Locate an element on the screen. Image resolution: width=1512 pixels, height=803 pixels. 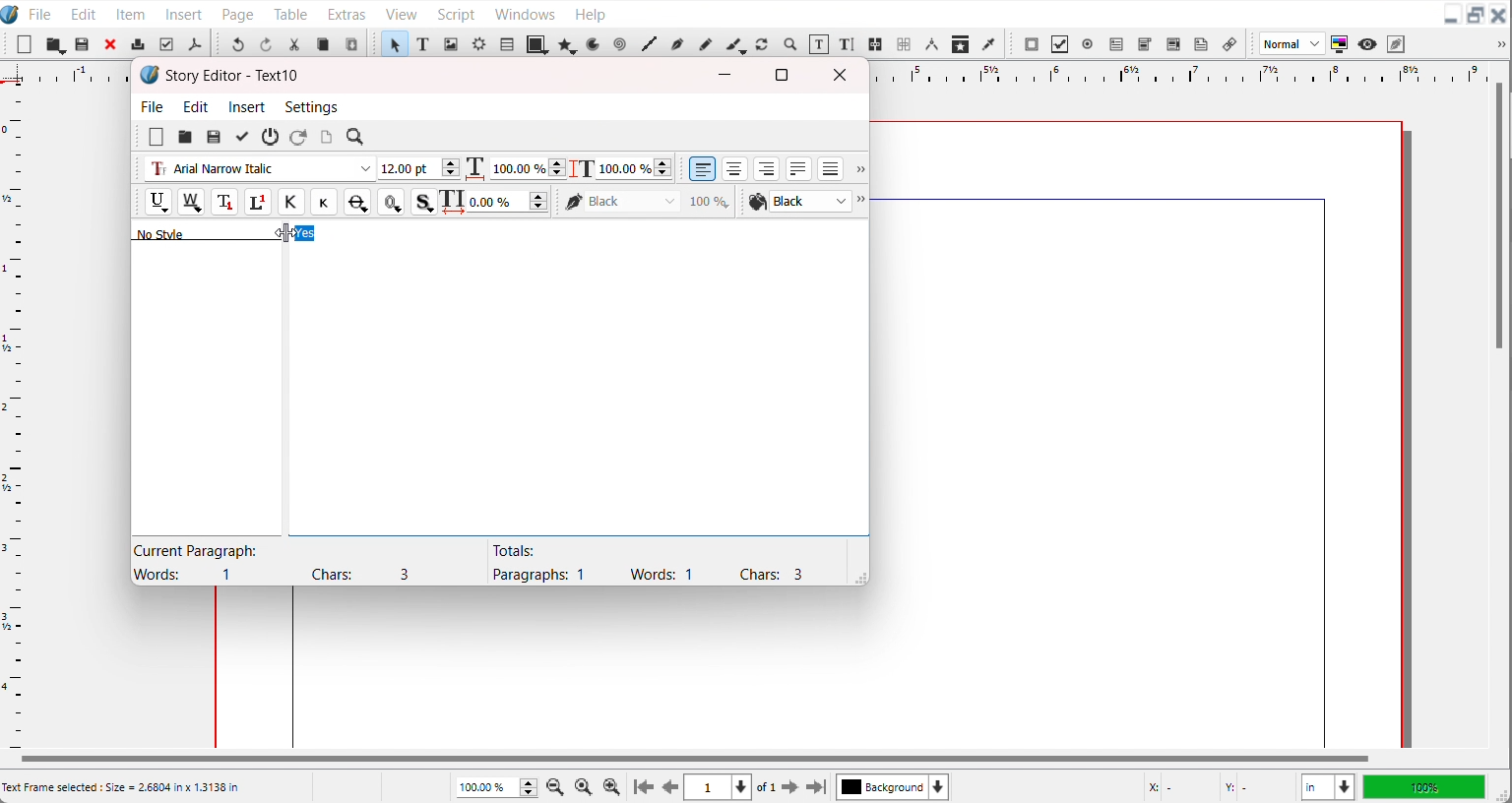
PDF Check Button is located at coordinates (1059, 44).